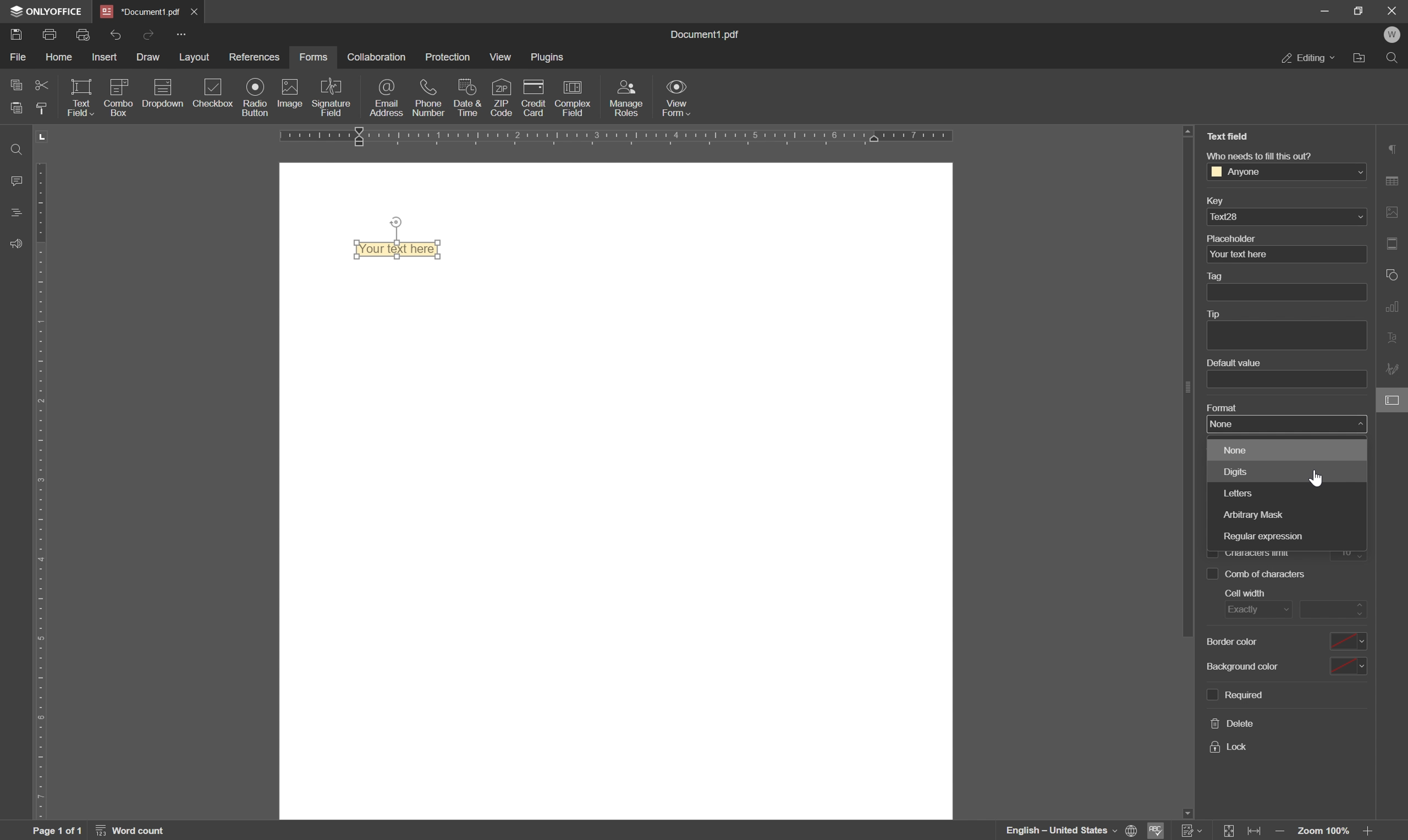  I want to click on insert, so click(106, 57).